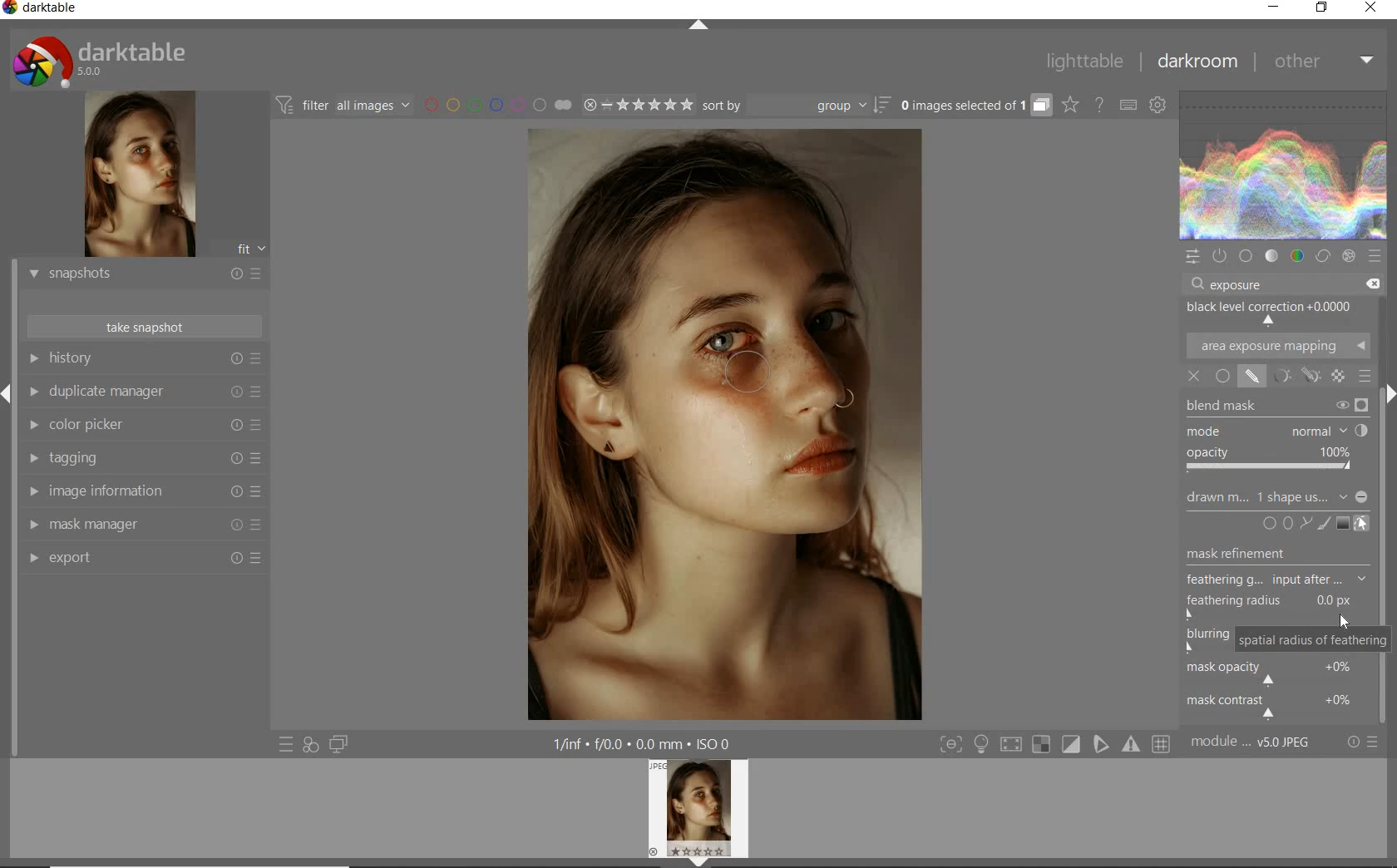 The height and width of the screenshot is (868, 1397). Describe the element at coordinates (142, 561) in the screenshot. I see `export` at that location.